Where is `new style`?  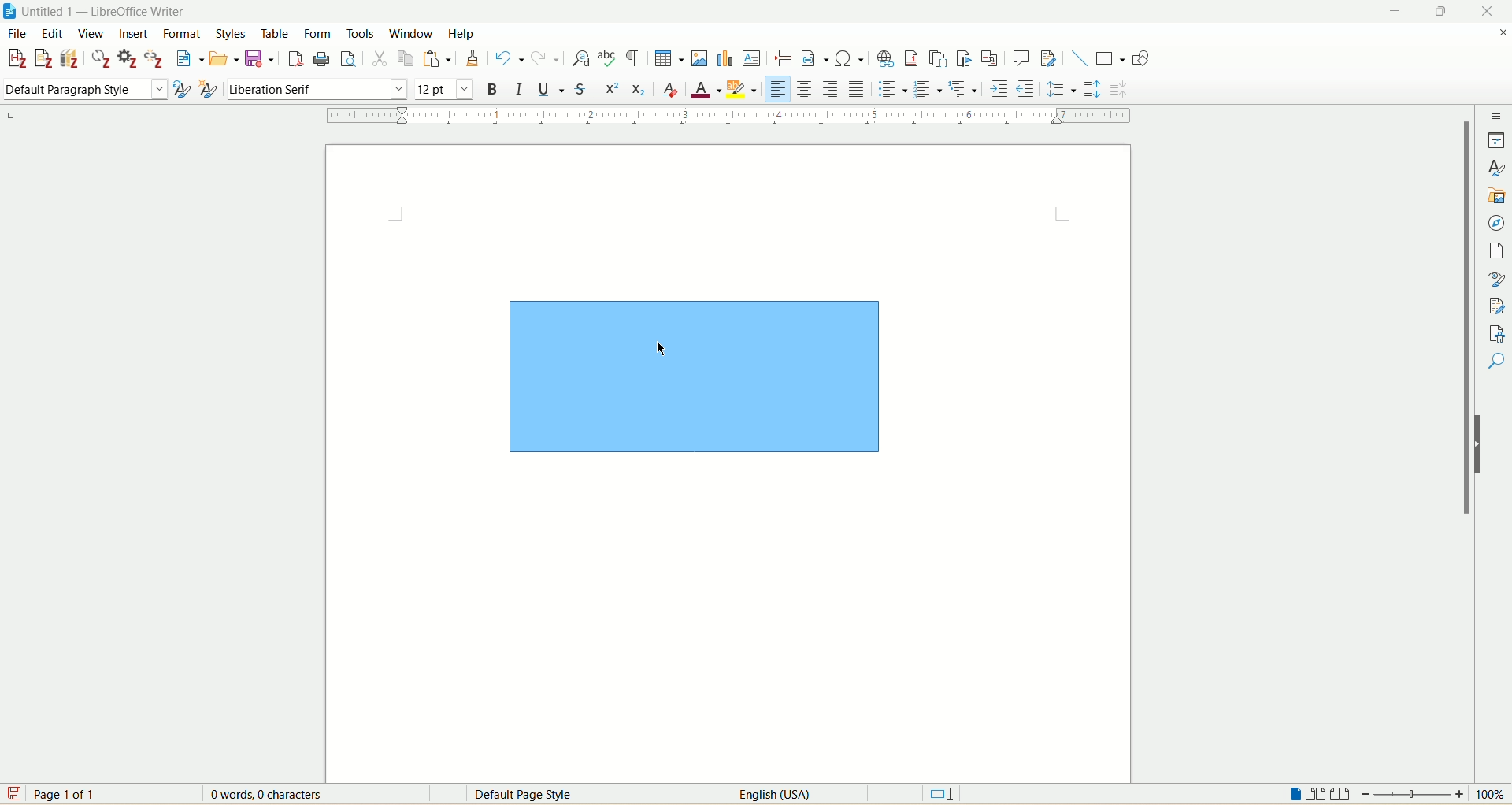
new style is located at coordinates (207, 89).